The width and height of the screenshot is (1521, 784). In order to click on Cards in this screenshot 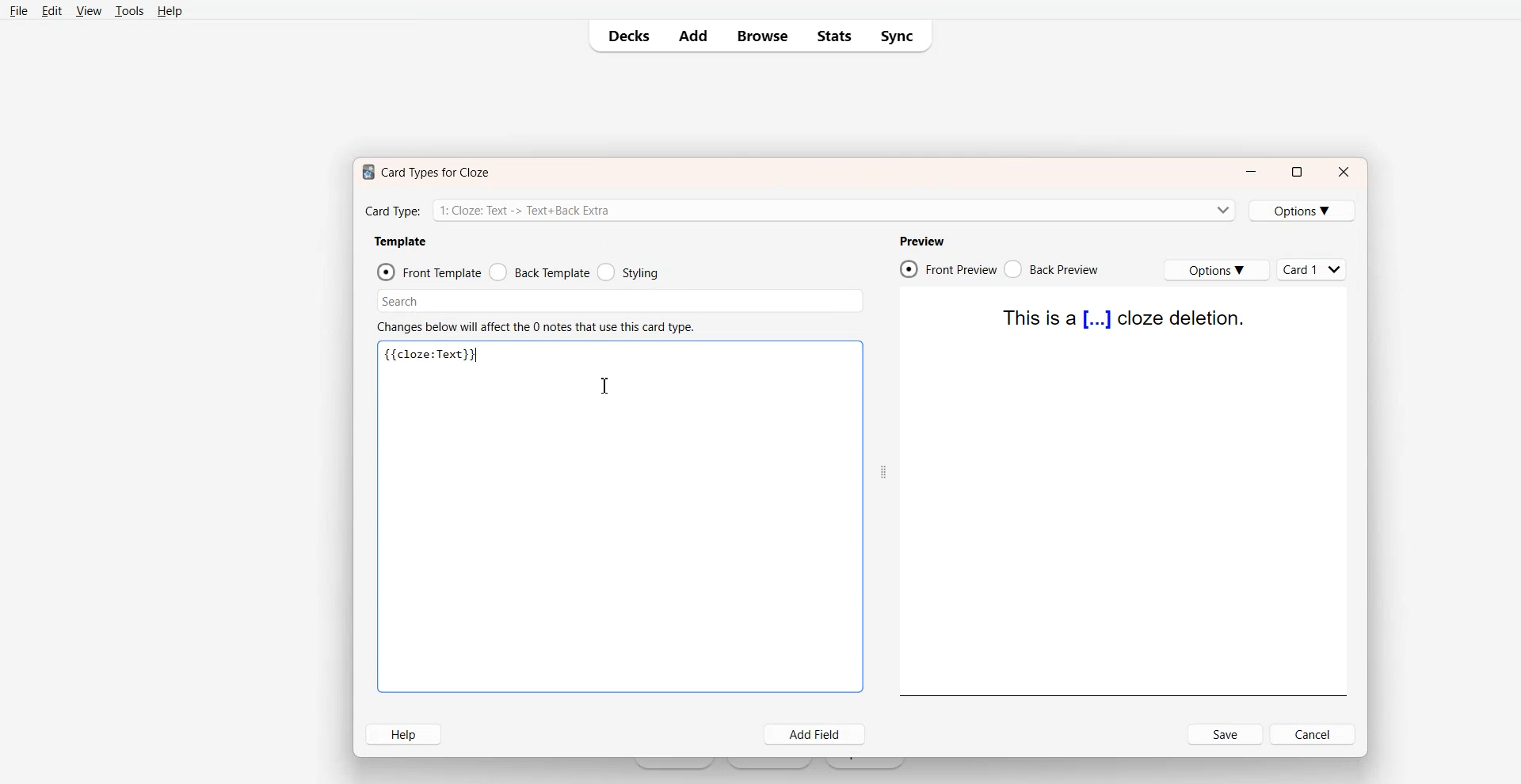, I will do `click(1313, 269)`.